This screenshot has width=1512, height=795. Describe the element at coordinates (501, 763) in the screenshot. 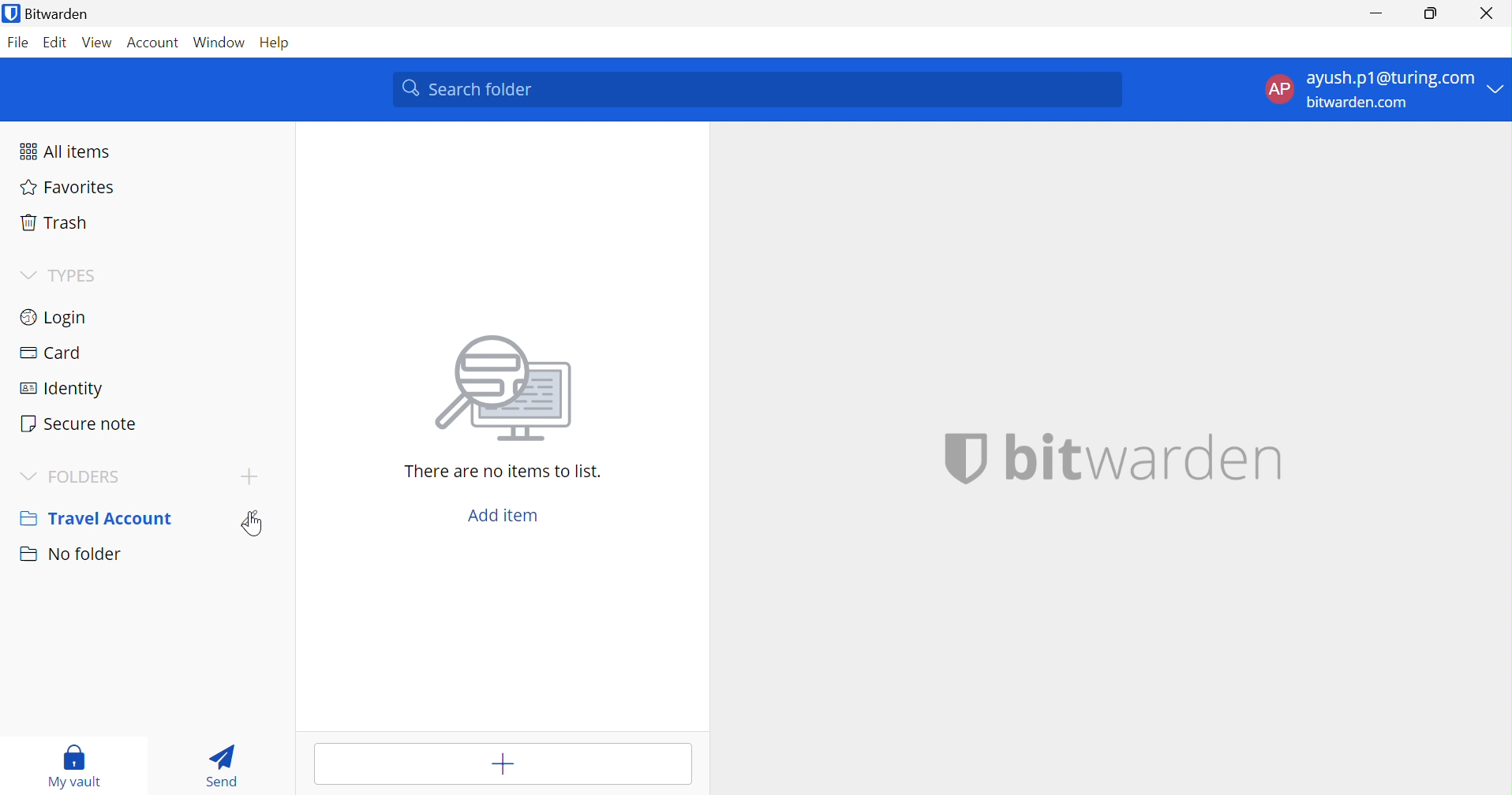

I see `Add item` at that location.